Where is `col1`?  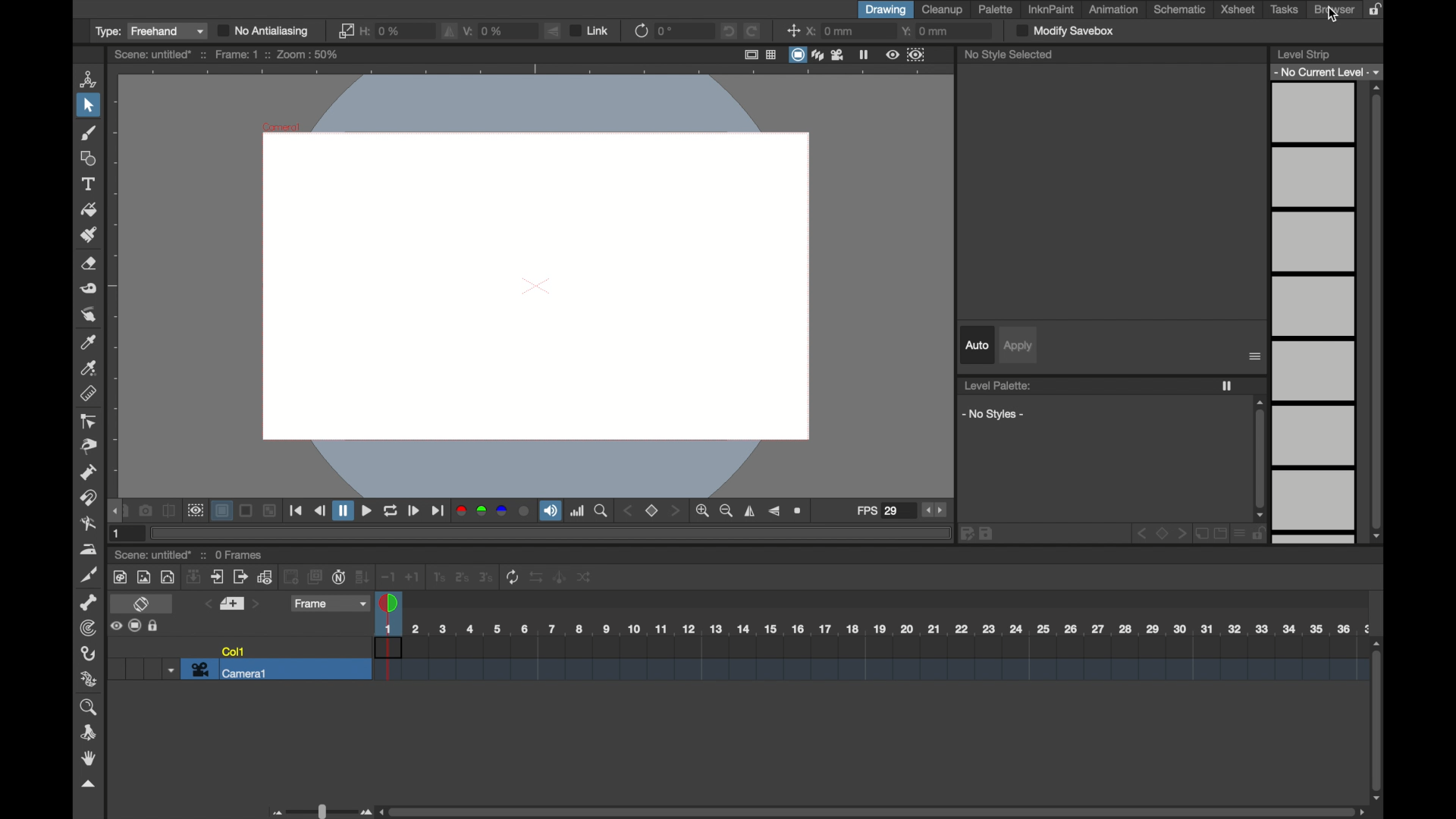 col1 is located at coordinates (232, 650).